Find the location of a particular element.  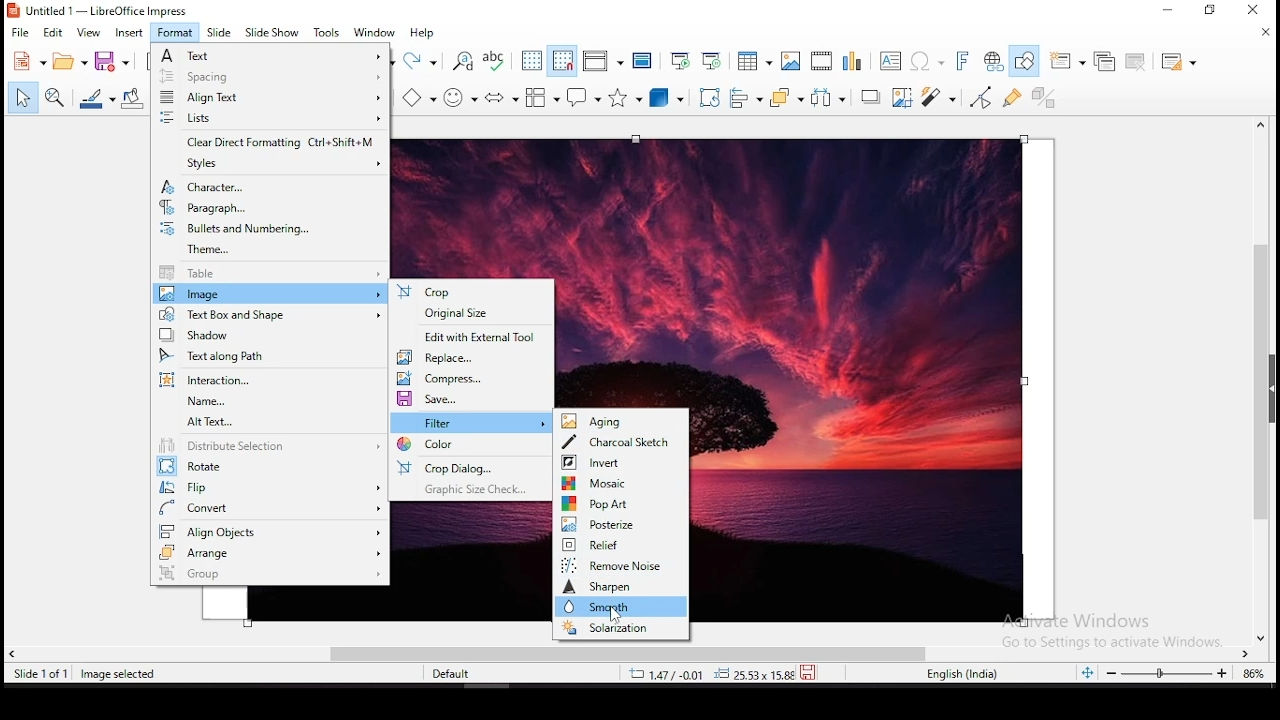

crop image is located at coordinates (904, 98).